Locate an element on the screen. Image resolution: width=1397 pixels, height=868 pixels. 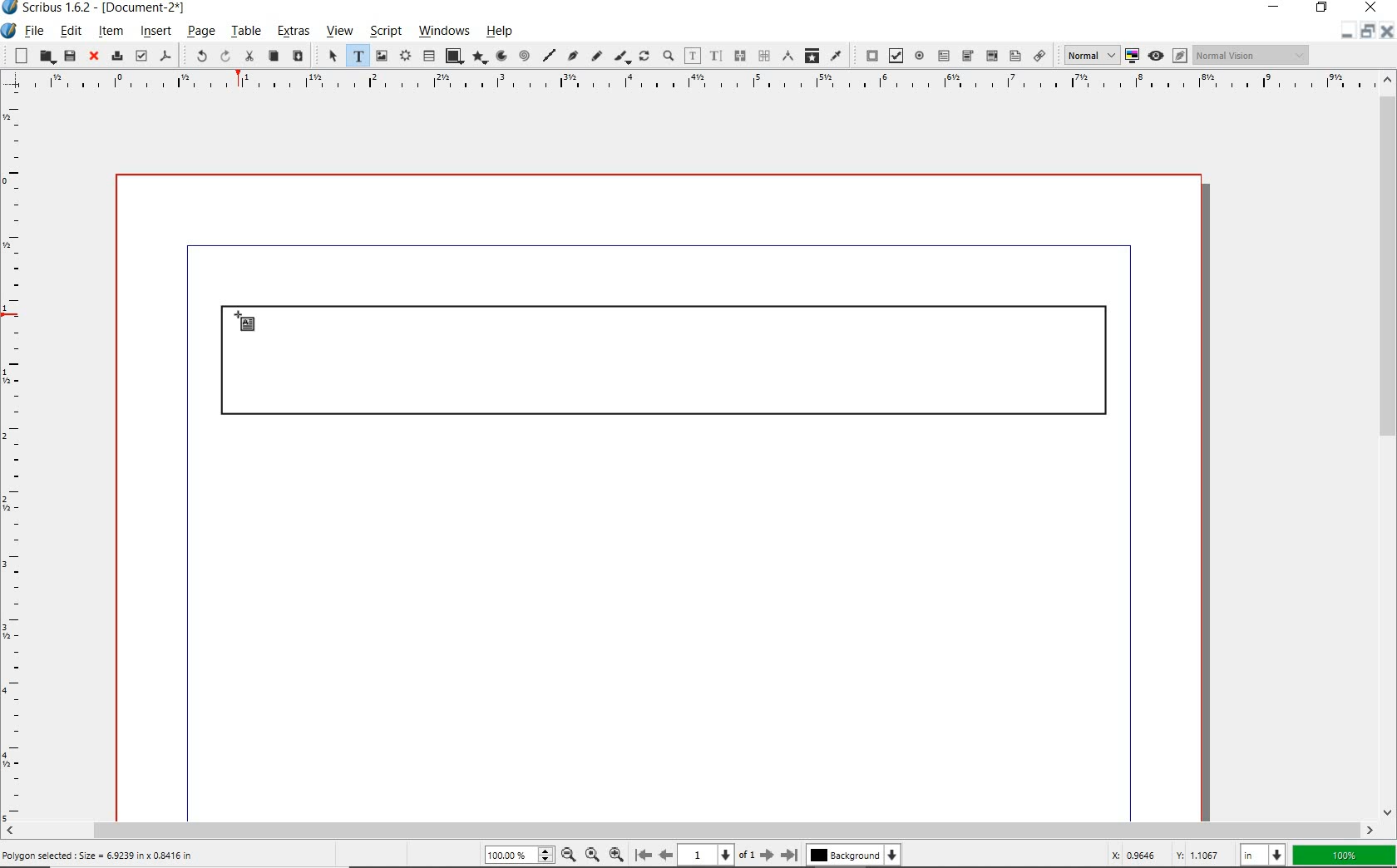
pdf combo box is located at coordinates (967, 57).